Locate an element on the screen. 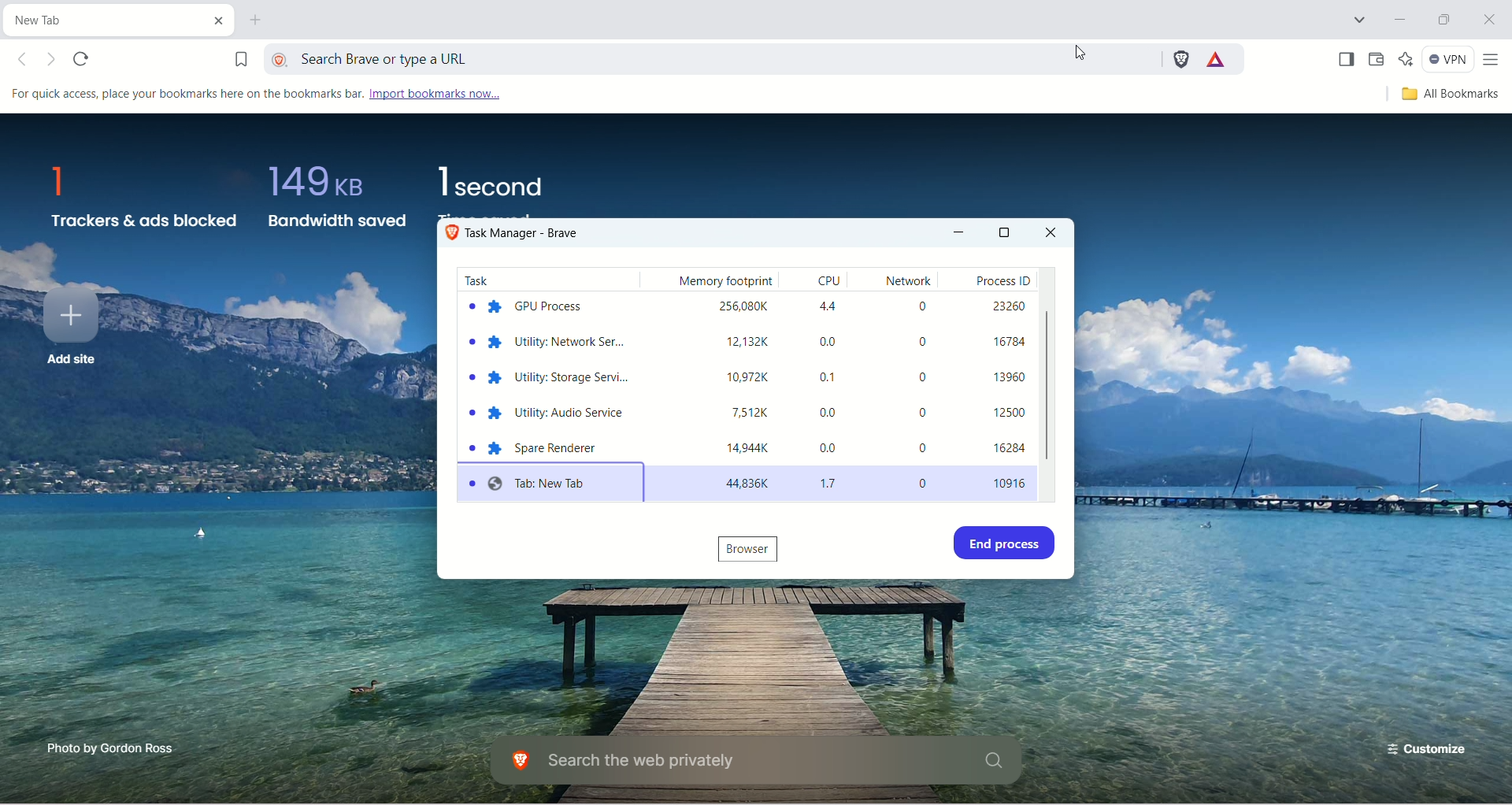 This screenshot has height=805, width=1512. import bookmarks now is located at coordinates (434, 95).